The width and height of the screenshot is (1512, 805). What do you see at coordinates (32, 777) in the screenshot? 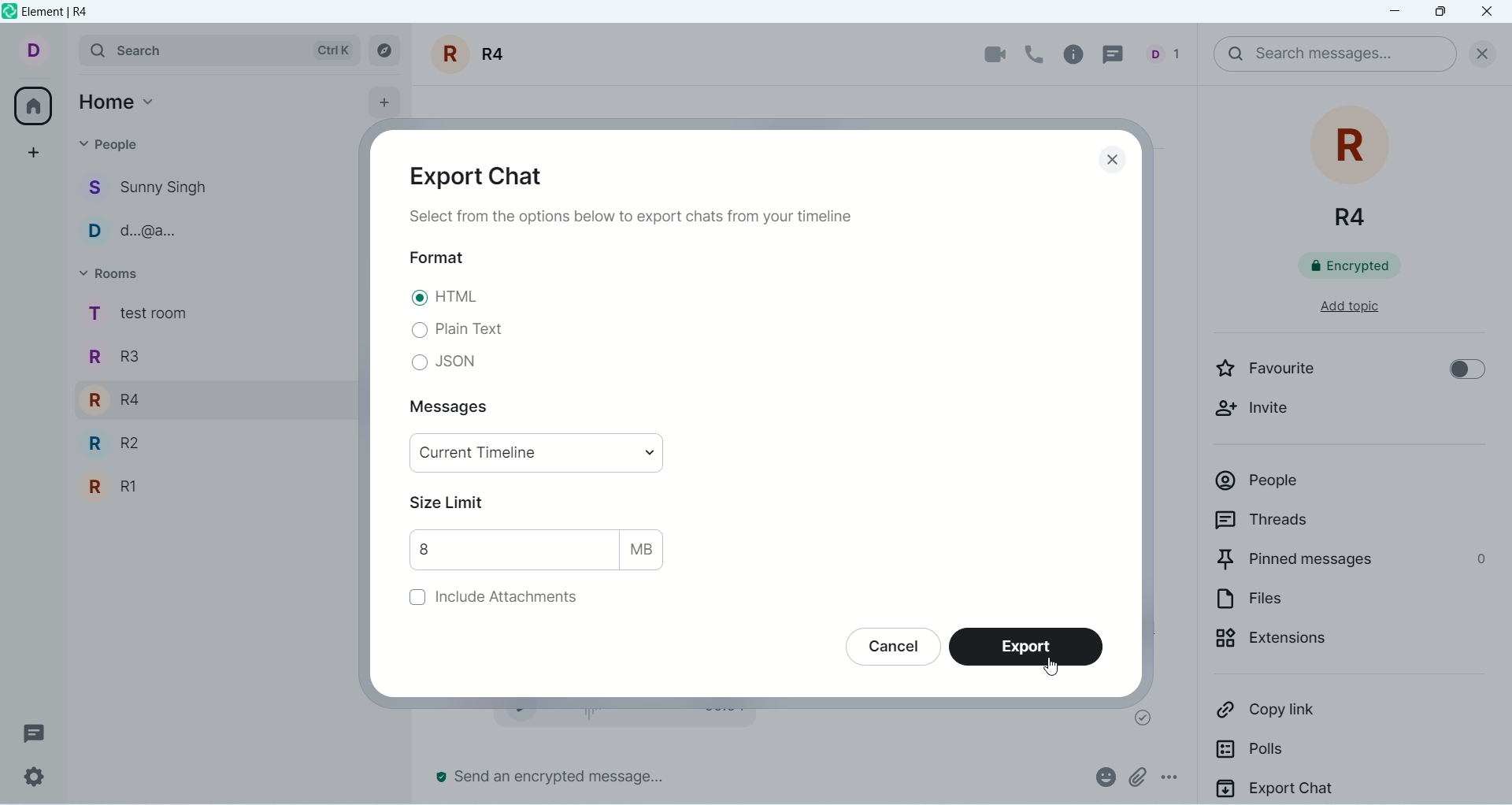
I see `settings` at bounding box center [32, 777].